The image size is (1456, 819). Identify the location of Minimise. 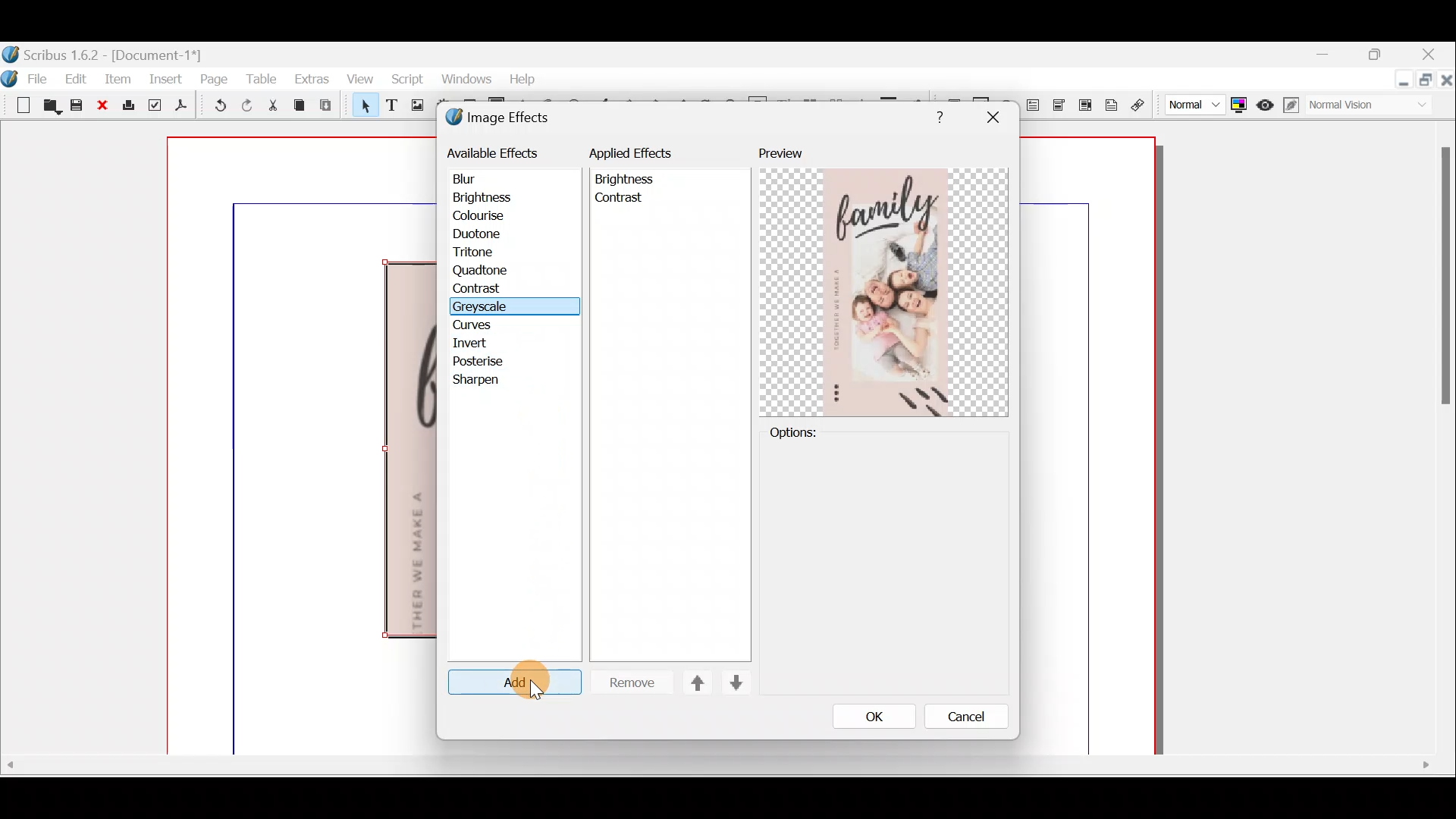
(1398, 80).